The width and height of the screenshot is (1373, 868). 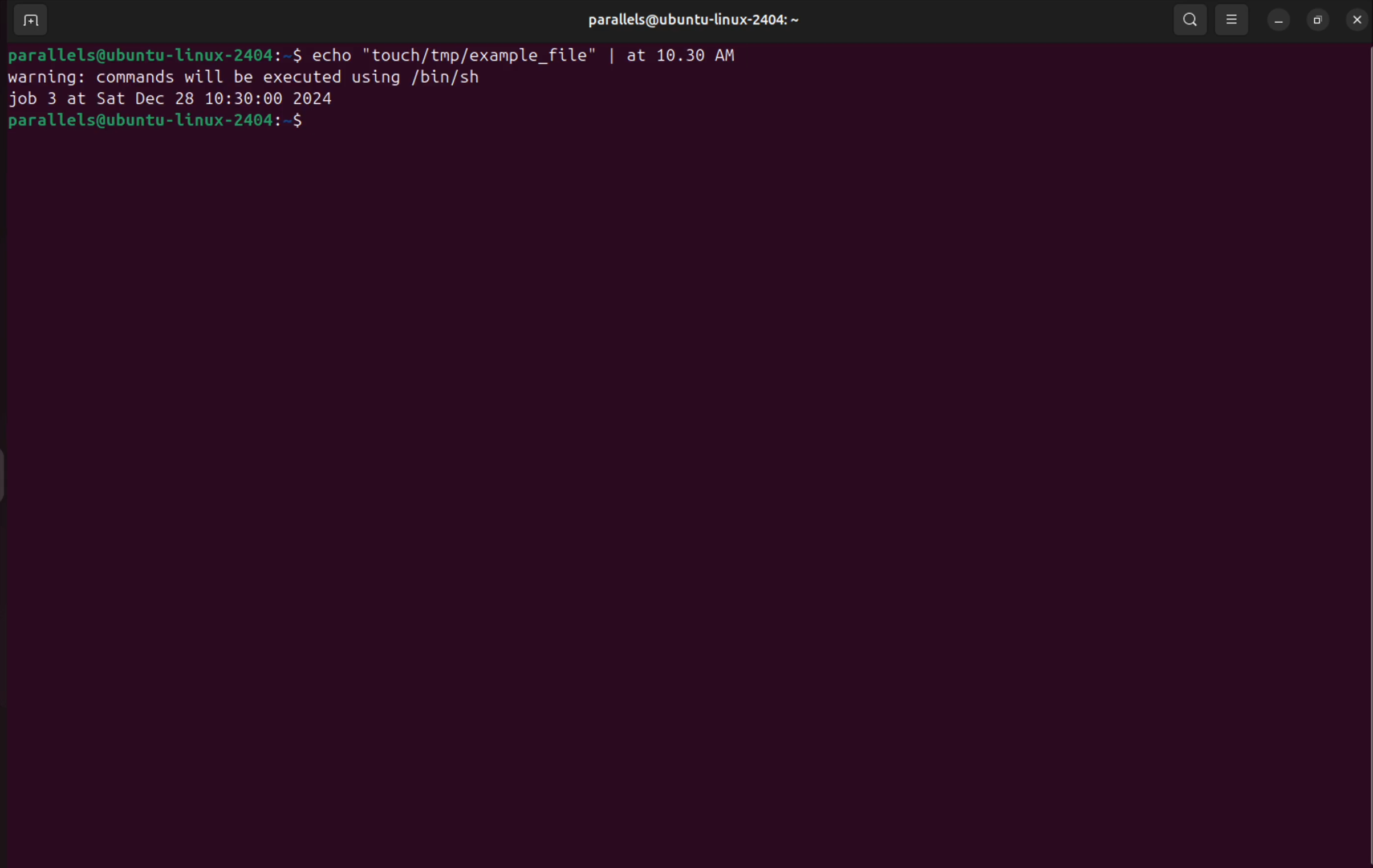 What do you see at coordinates (1318, 19) in the screenshot?
I see `resize` at bounding box center [1318, 19].